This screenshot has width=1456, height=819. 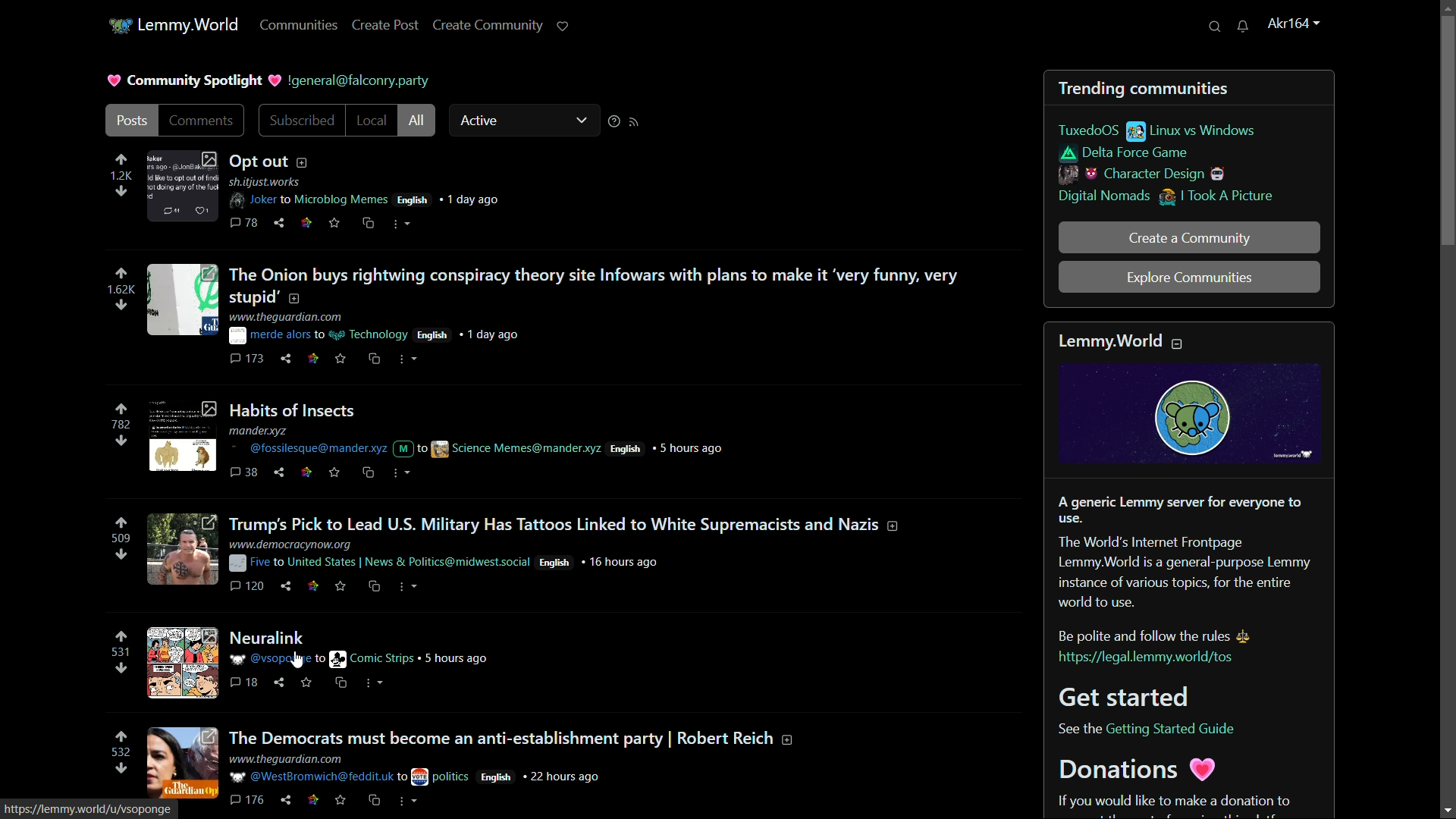 What do you see at coordinates (408, 588) in the screenshot?
I see `more` at bounding box center [408, 588].